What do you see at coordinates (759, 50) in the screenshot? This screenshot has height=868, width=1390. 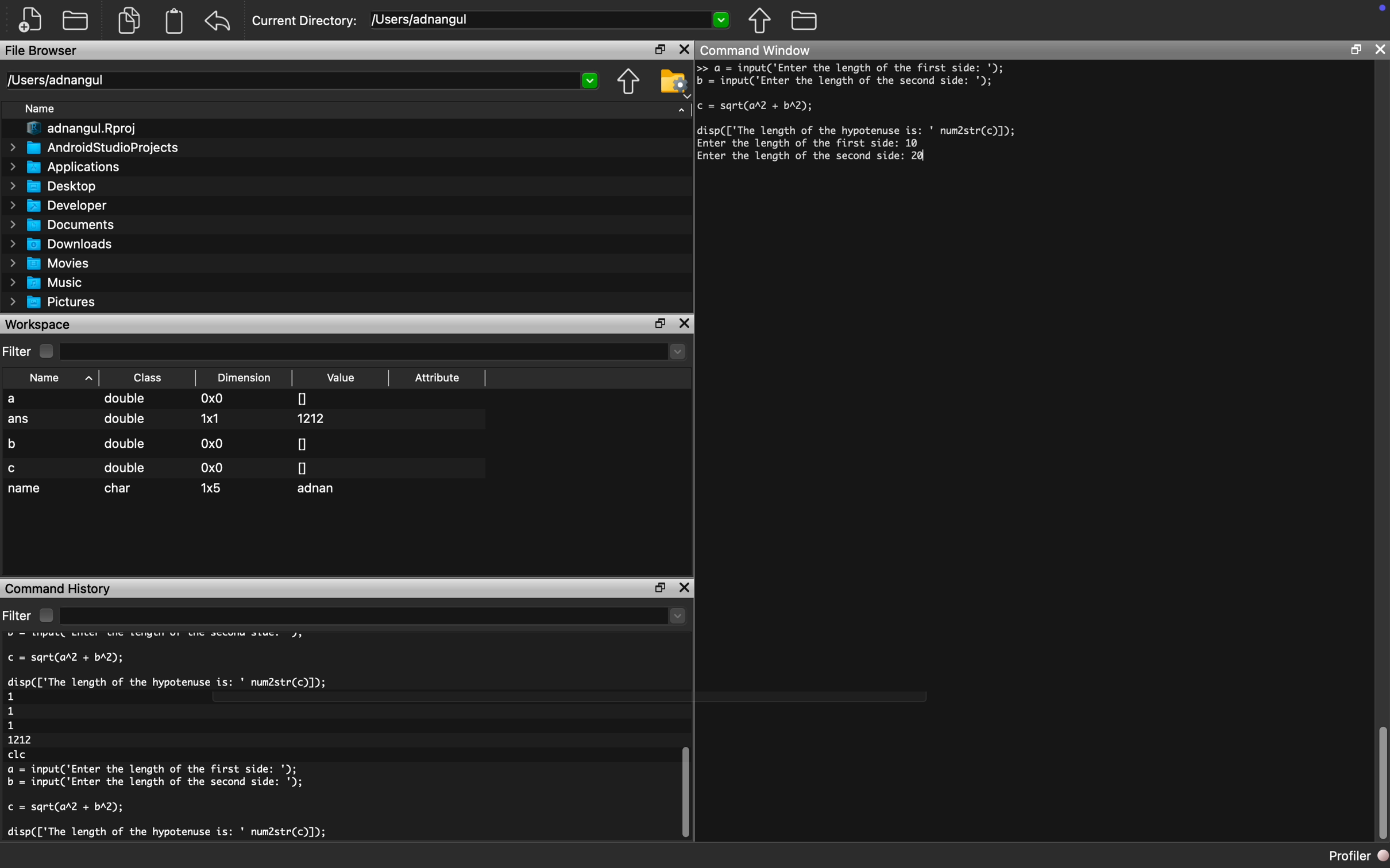 I see `Command Window` at bounding box center [759, 50].